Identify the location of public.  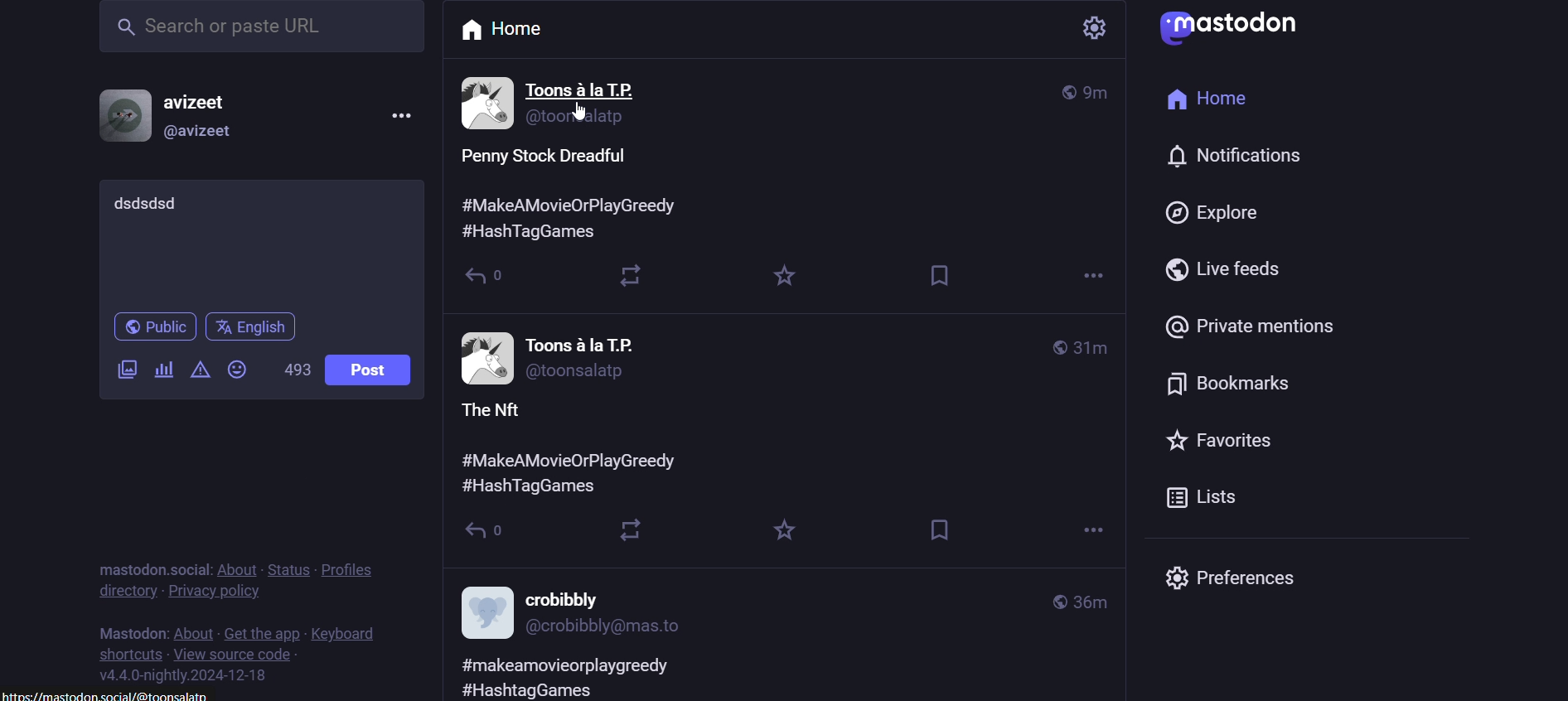
(149, 330).